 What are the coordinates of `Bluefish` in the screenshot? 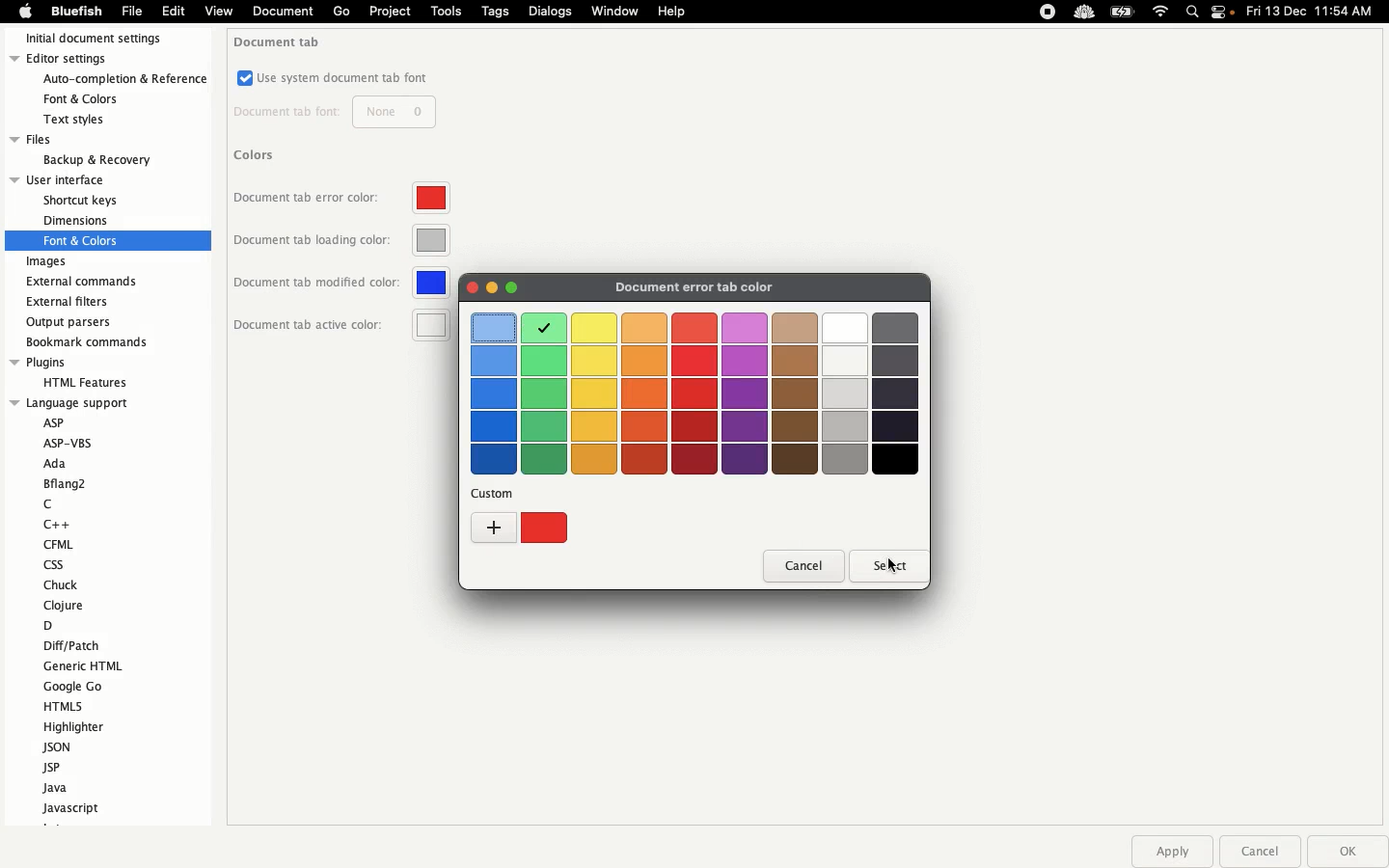 It's located at (73, 12).